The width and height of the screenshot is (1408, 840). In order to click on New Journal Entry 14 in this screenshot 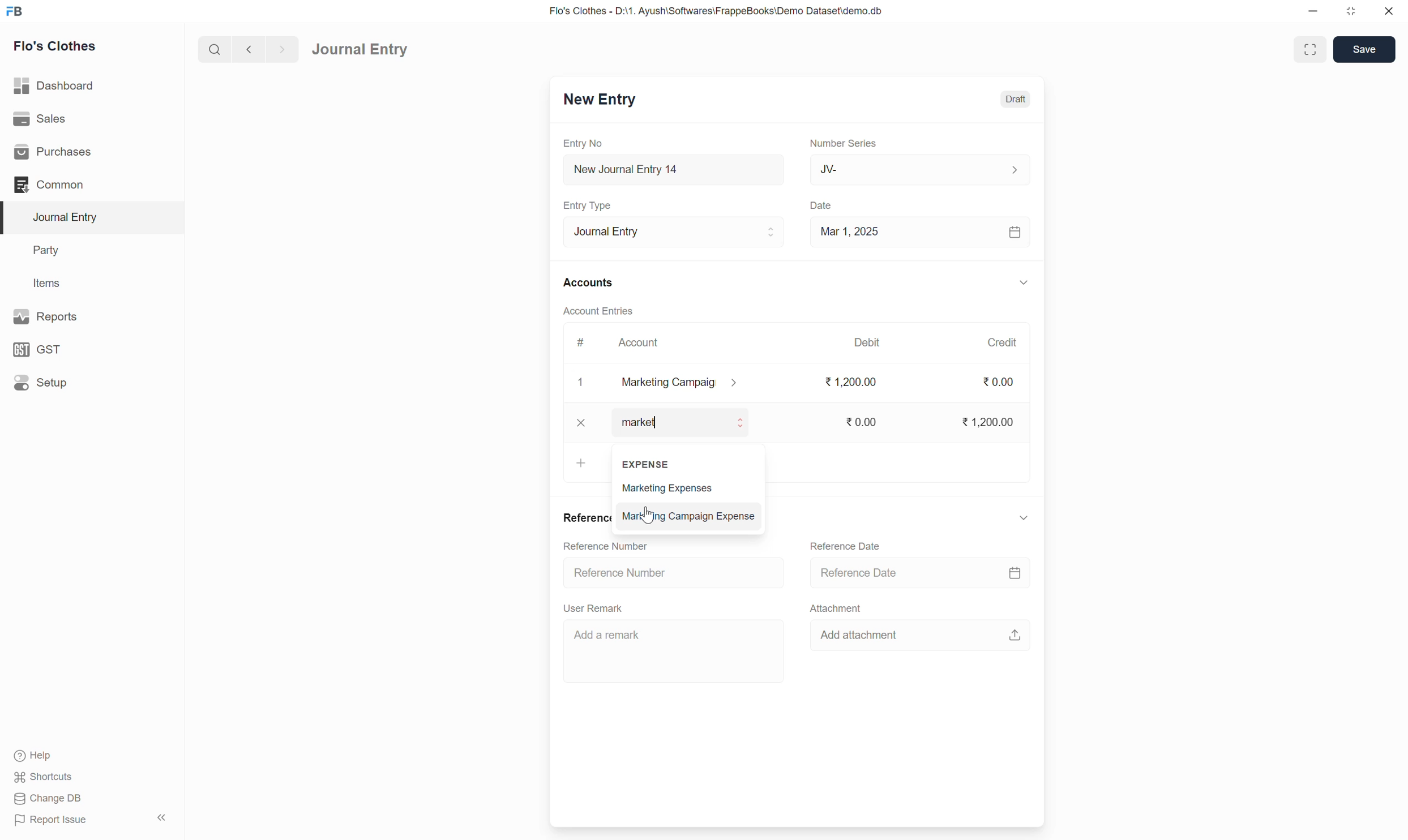, I will do `click(646, 170)`.